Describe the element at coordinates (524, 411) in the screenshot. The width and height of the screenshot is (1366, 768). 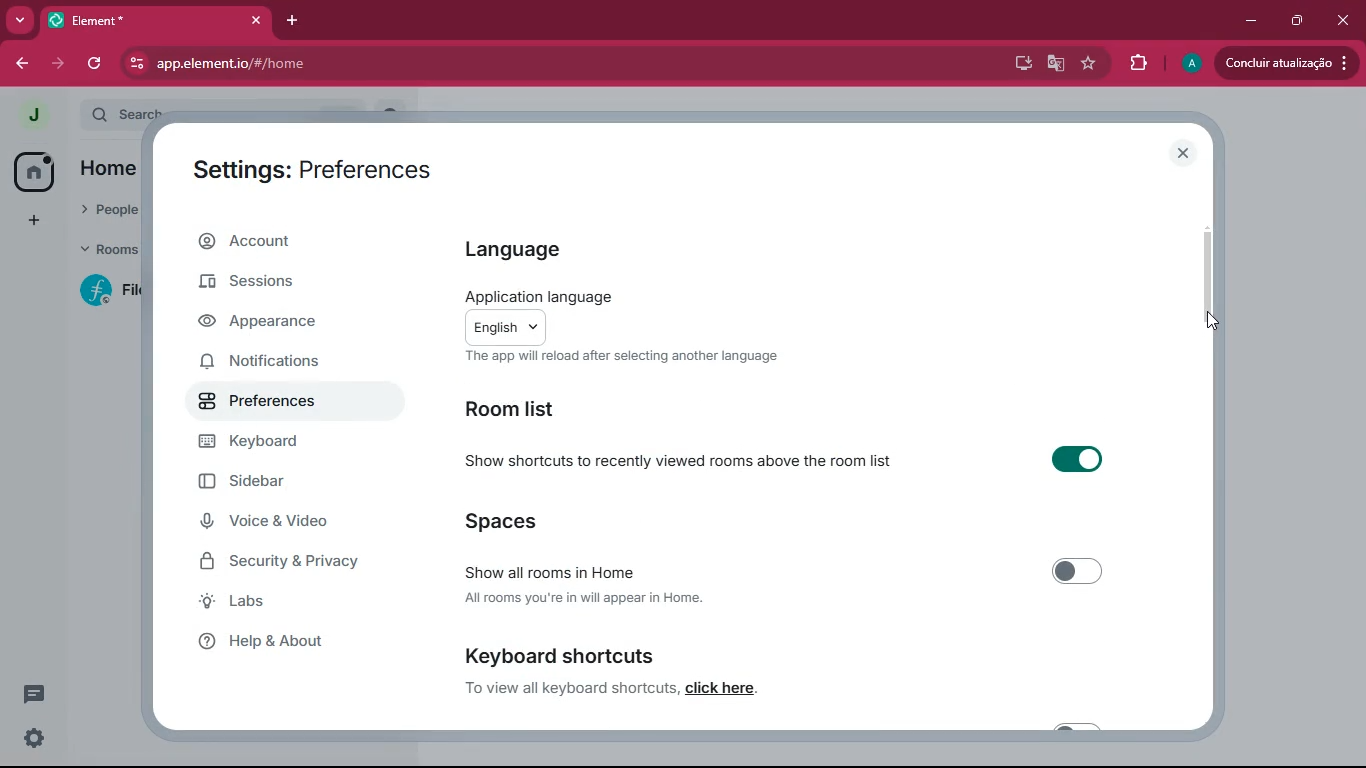
I see `room list` at that location.